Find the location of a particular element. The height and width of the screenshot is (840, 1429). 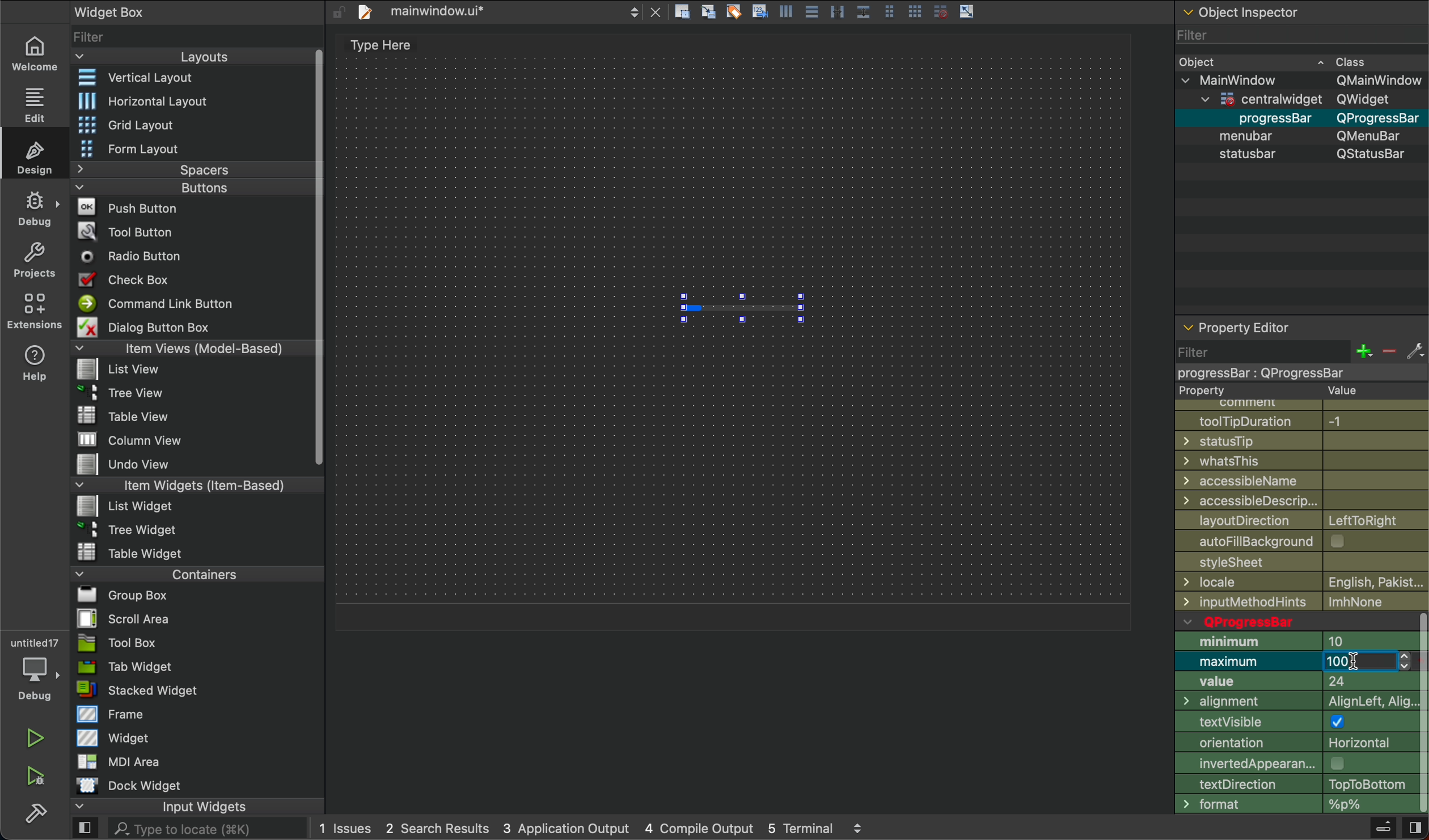

MDI Area is located at coordinates (116, 761).